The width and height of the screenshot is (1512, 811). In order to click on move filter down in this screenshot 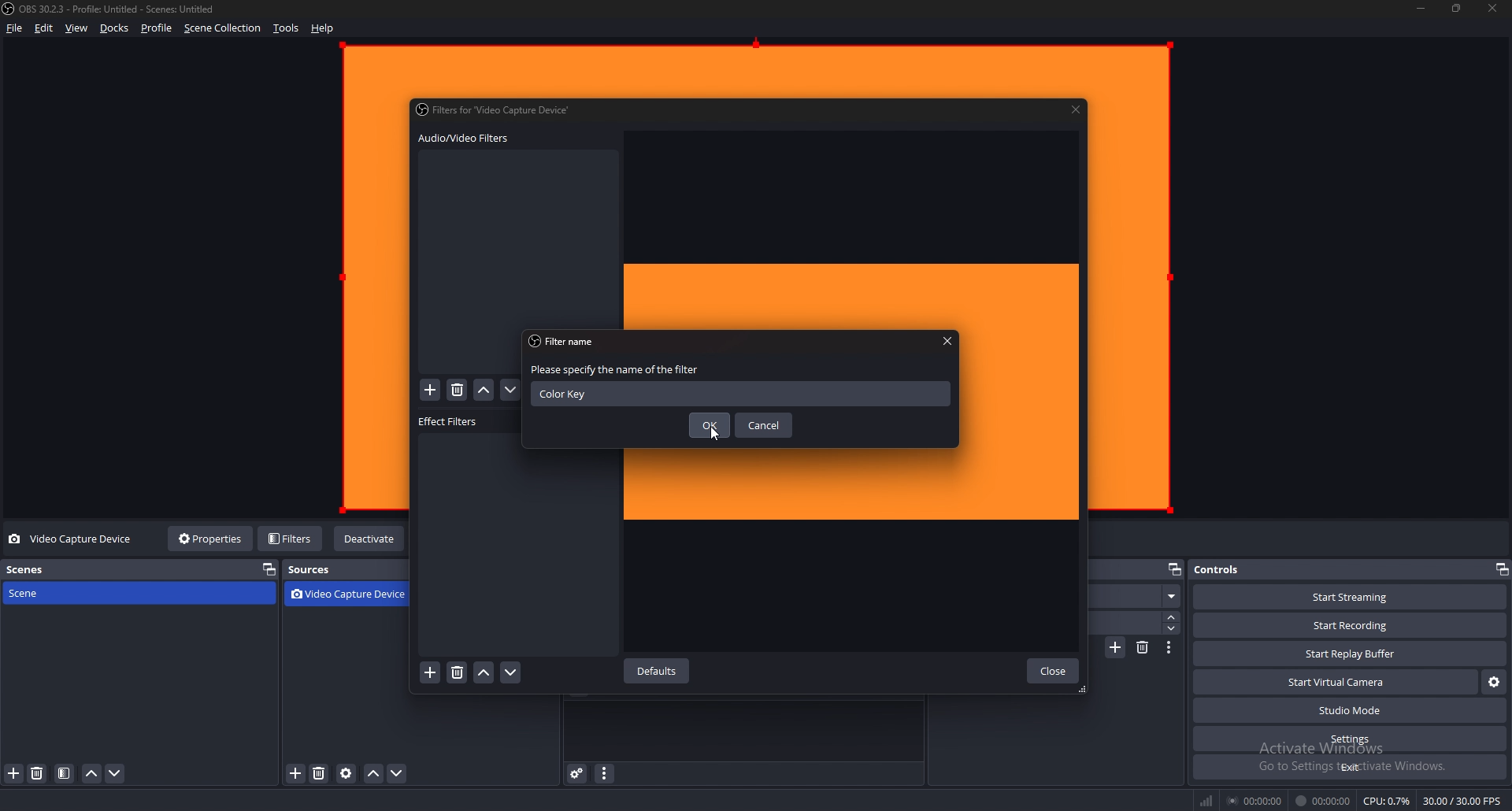, I will do `click(511, 391)`.